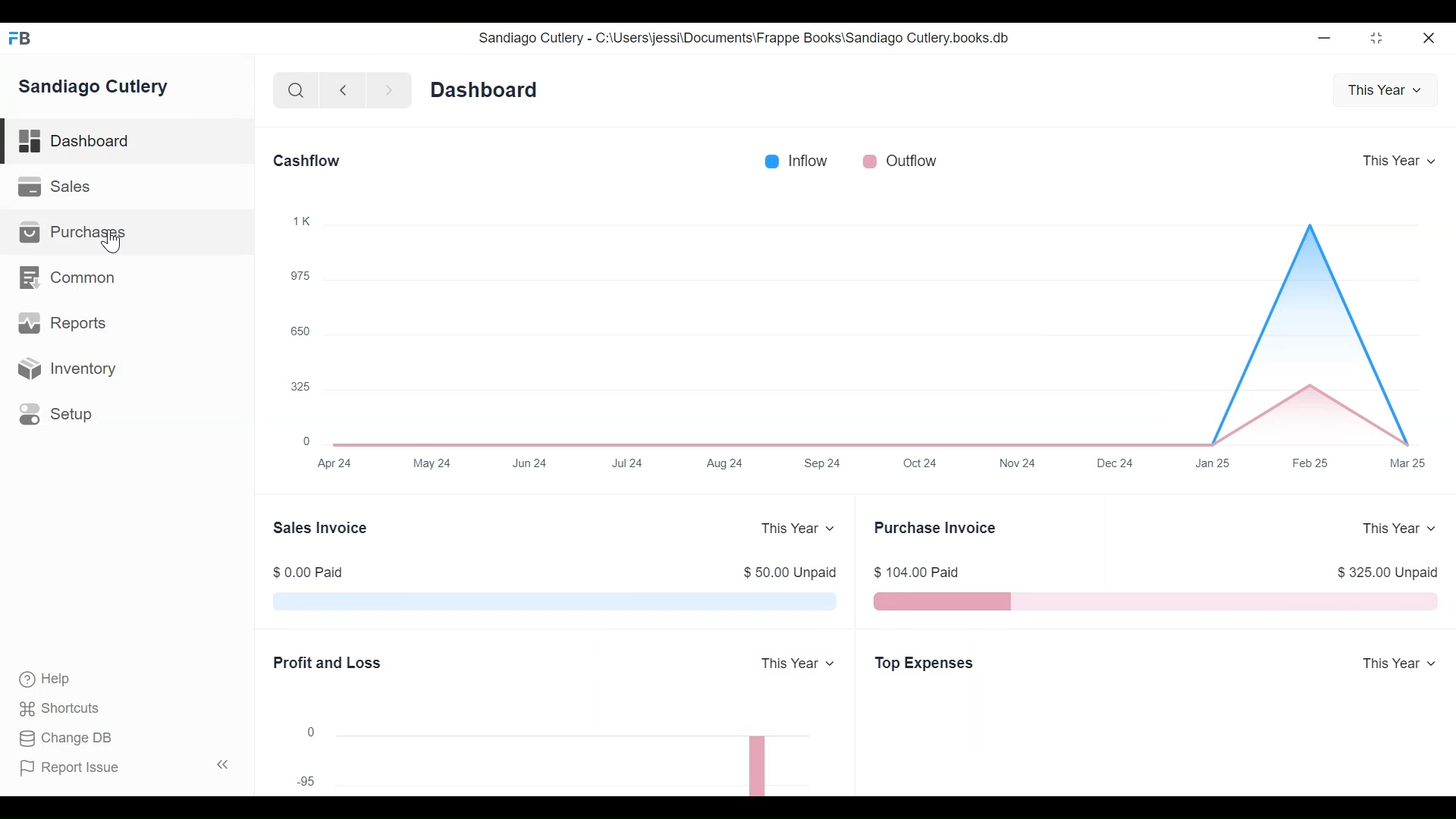 Image resolution: width=1456 pixels, height=819 pixels. Describe the element at coordinates (728, 464) in the screenshot. I see `Ju Aug 24` at that location.